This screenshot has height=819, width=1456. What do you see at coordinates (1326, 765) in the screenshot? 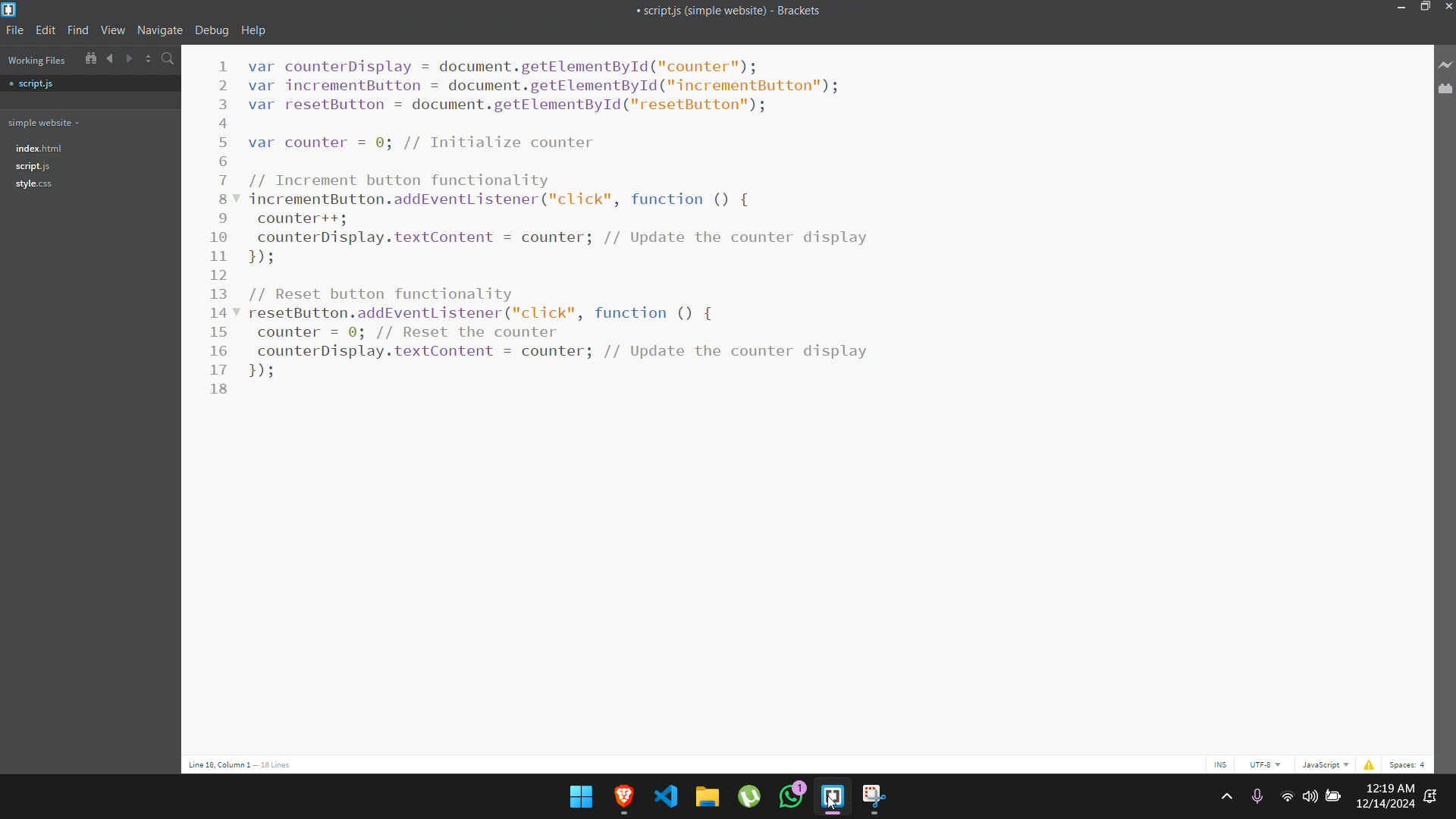
I see `file type - javascript` at bounding box center [1326, 765].